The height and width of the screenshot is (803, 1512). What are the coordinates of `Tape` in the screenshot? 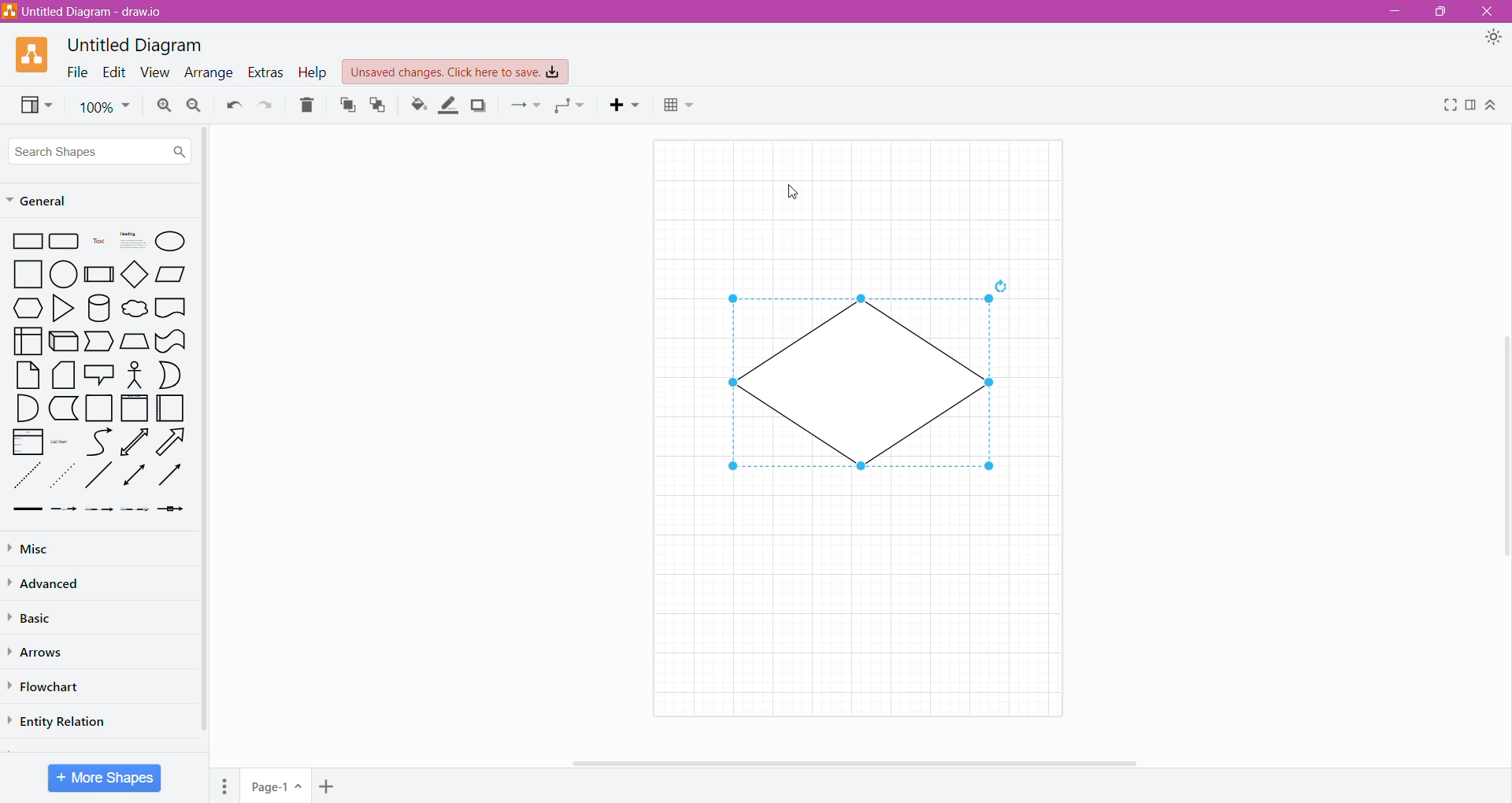 It's located at (171, 342).